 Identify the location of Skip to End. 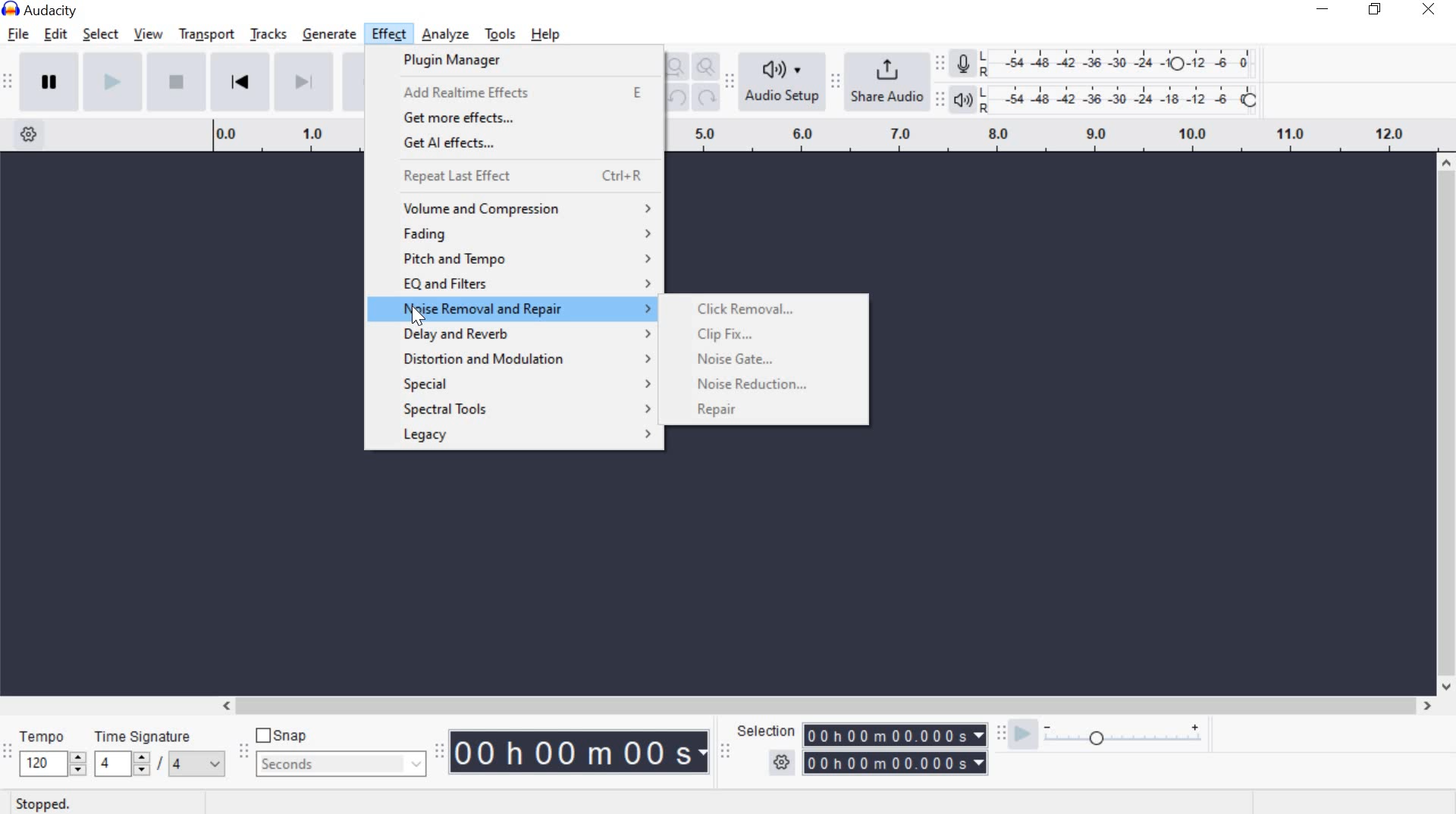
(303, 82).